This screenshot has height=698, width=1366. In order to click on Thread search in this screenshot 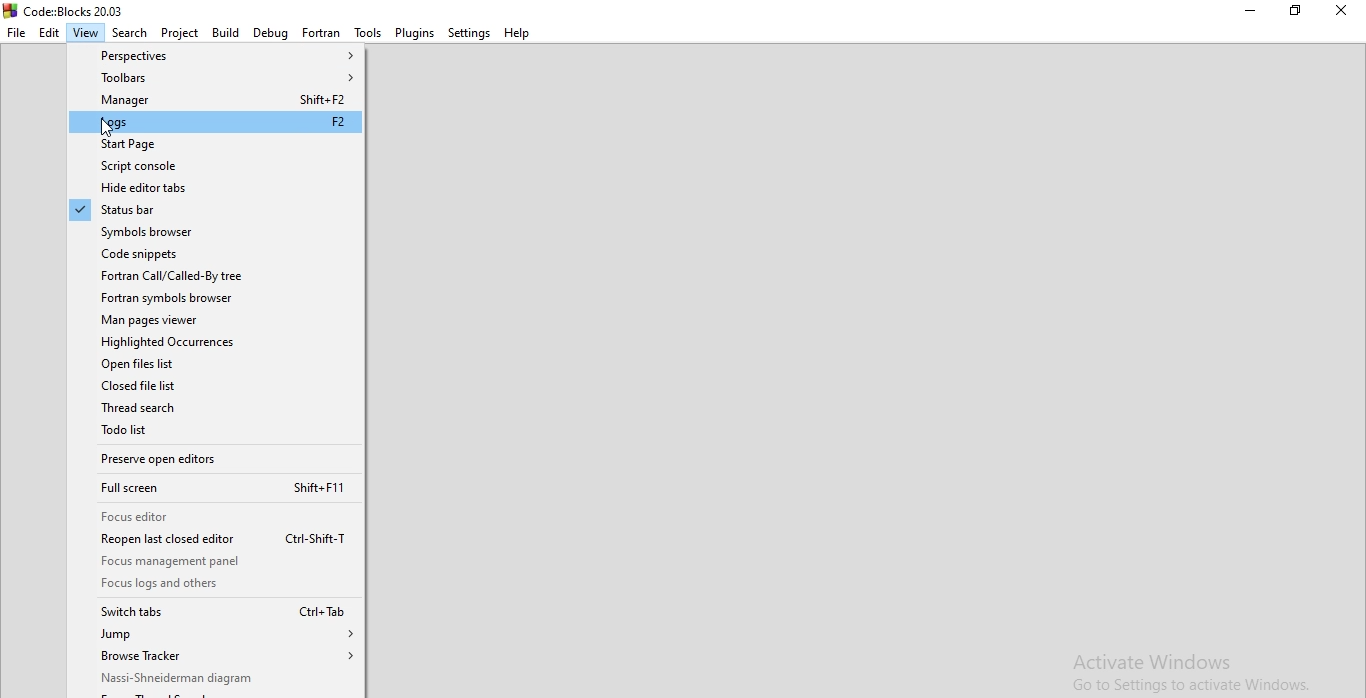, I will do `click(217, 407)`.